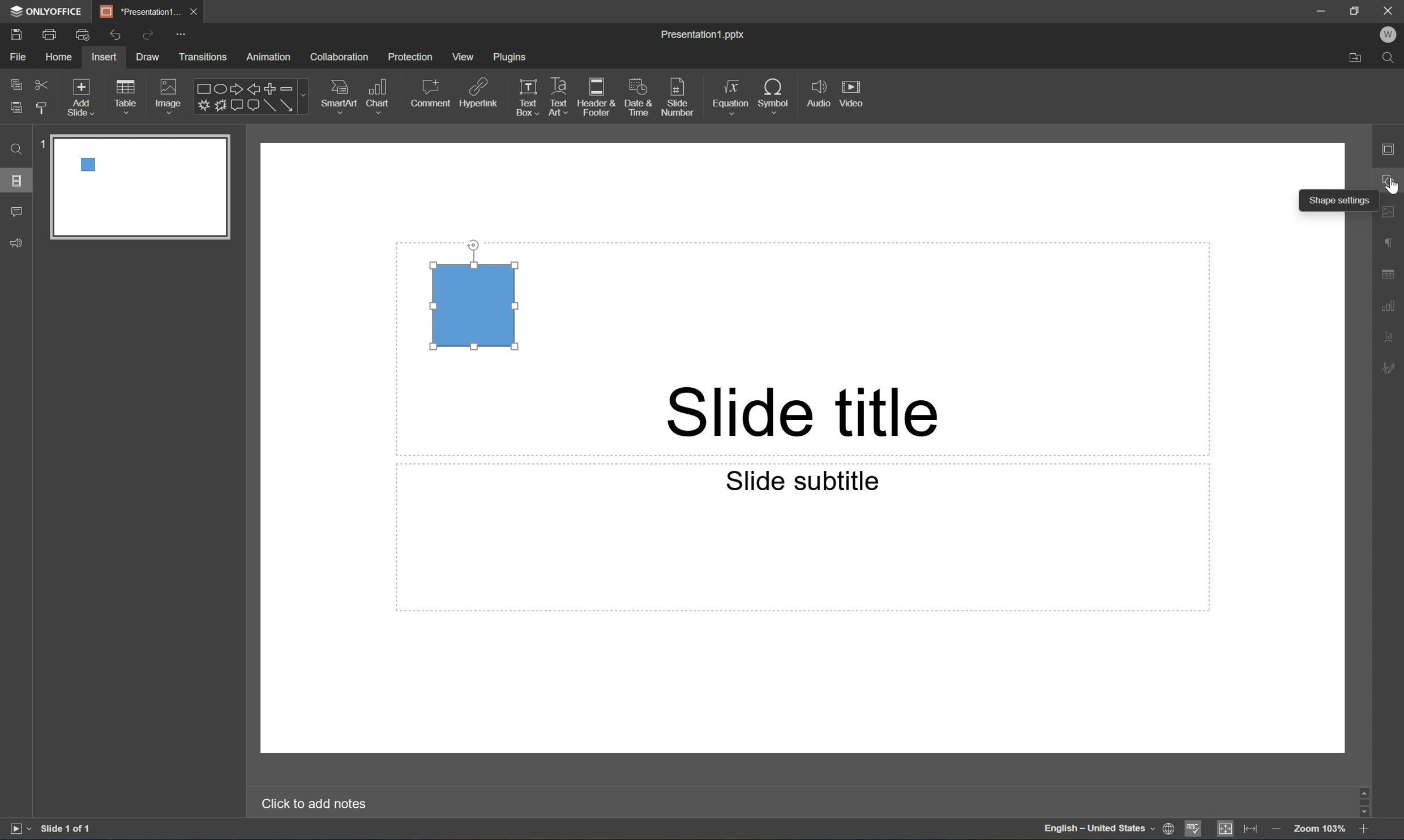 This screenshot has height=840, width=1404. I want to click on Transitions, so click(203, 58).